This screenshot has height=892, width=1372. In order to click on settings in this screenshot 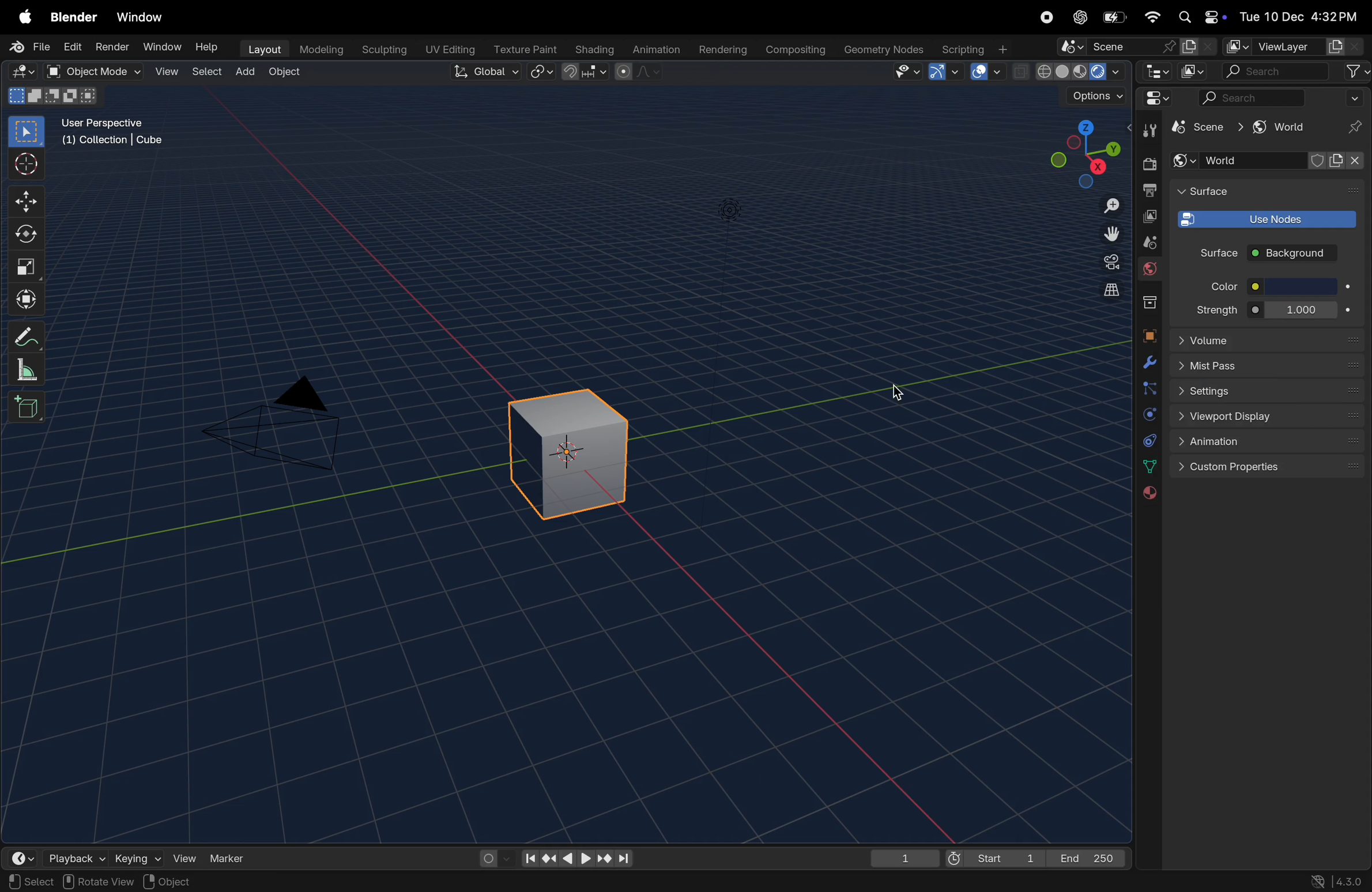, I will do `click(1269, 390)`.